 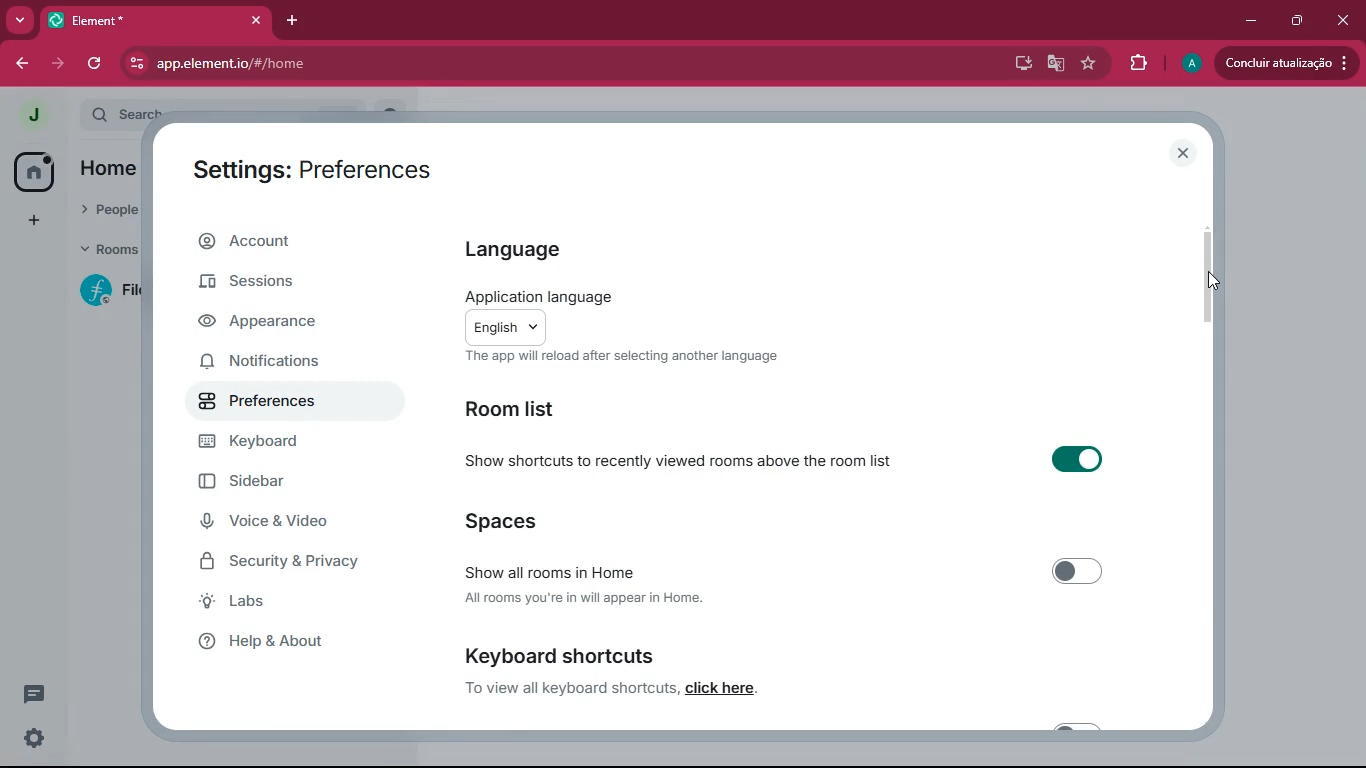 I want to click on notifications, so click(x=283, y=364).